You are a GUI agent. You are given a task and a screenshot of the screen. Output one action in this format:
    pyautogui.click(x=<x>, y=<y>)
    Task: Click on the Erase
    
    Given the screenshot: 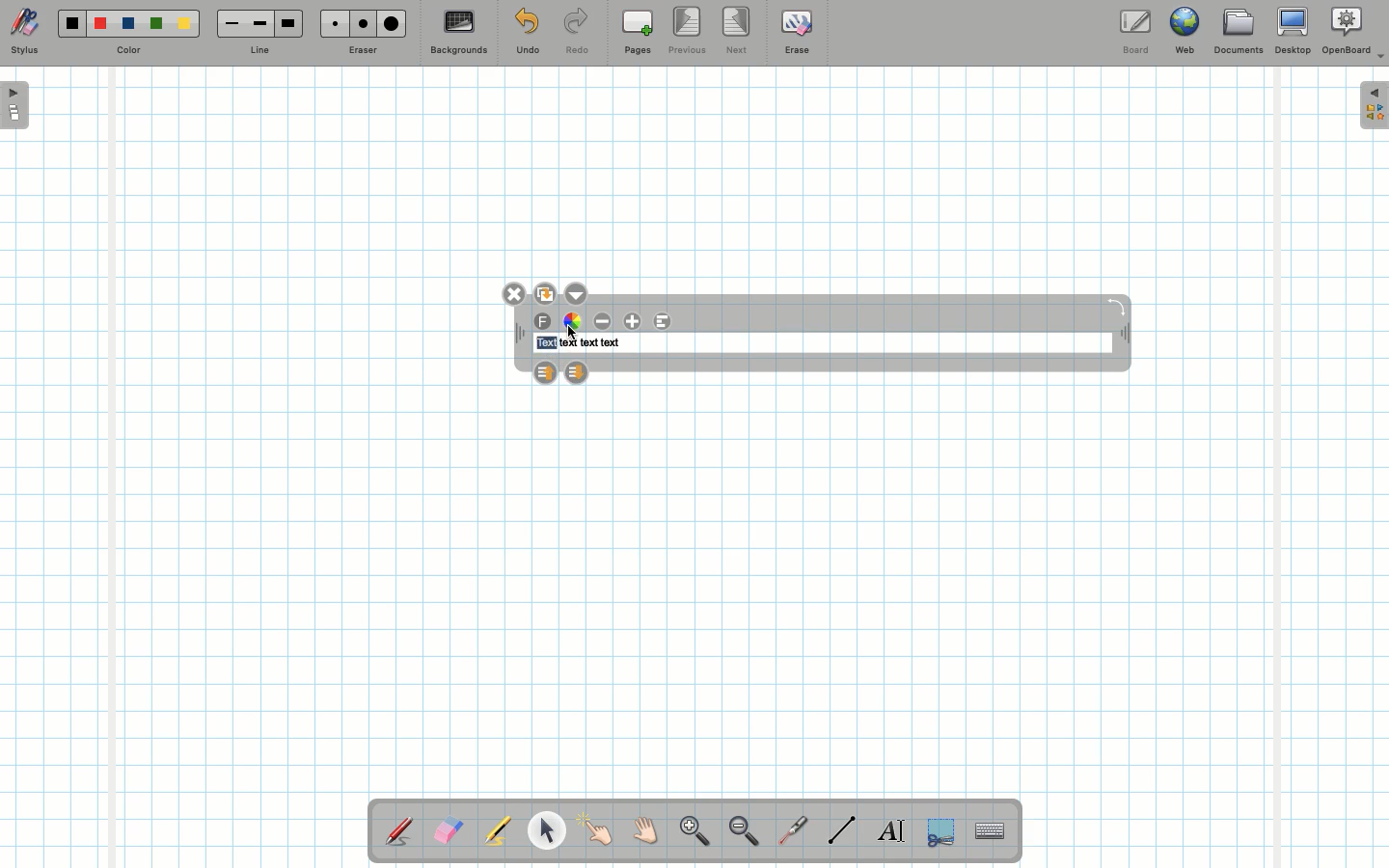 What is the action you would take?
    pyautogui.click(x=796, y=31)
    